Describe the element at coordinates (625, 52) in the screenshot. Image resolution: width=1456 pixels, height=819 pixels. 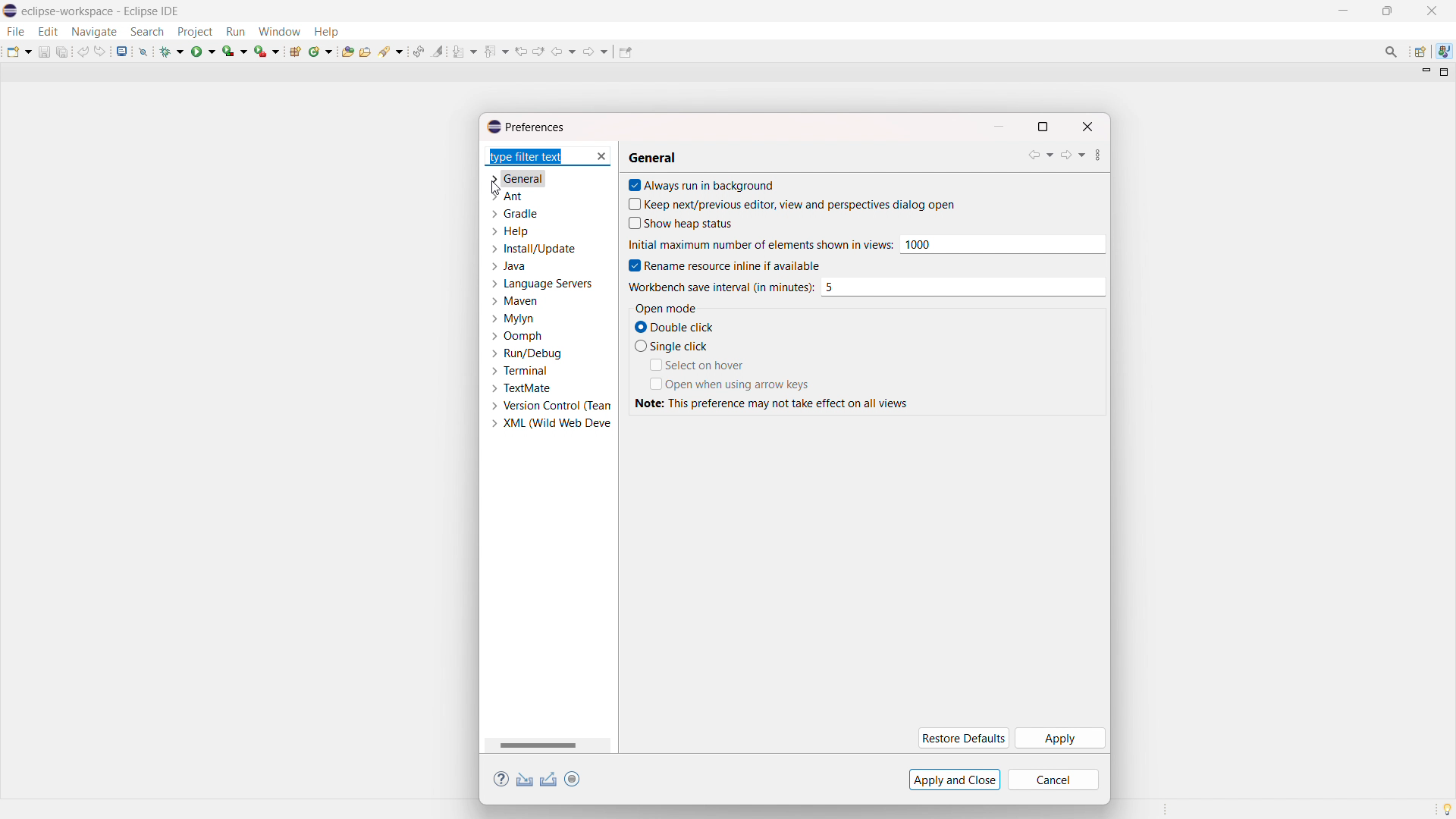
I see `pin editor` at that location.